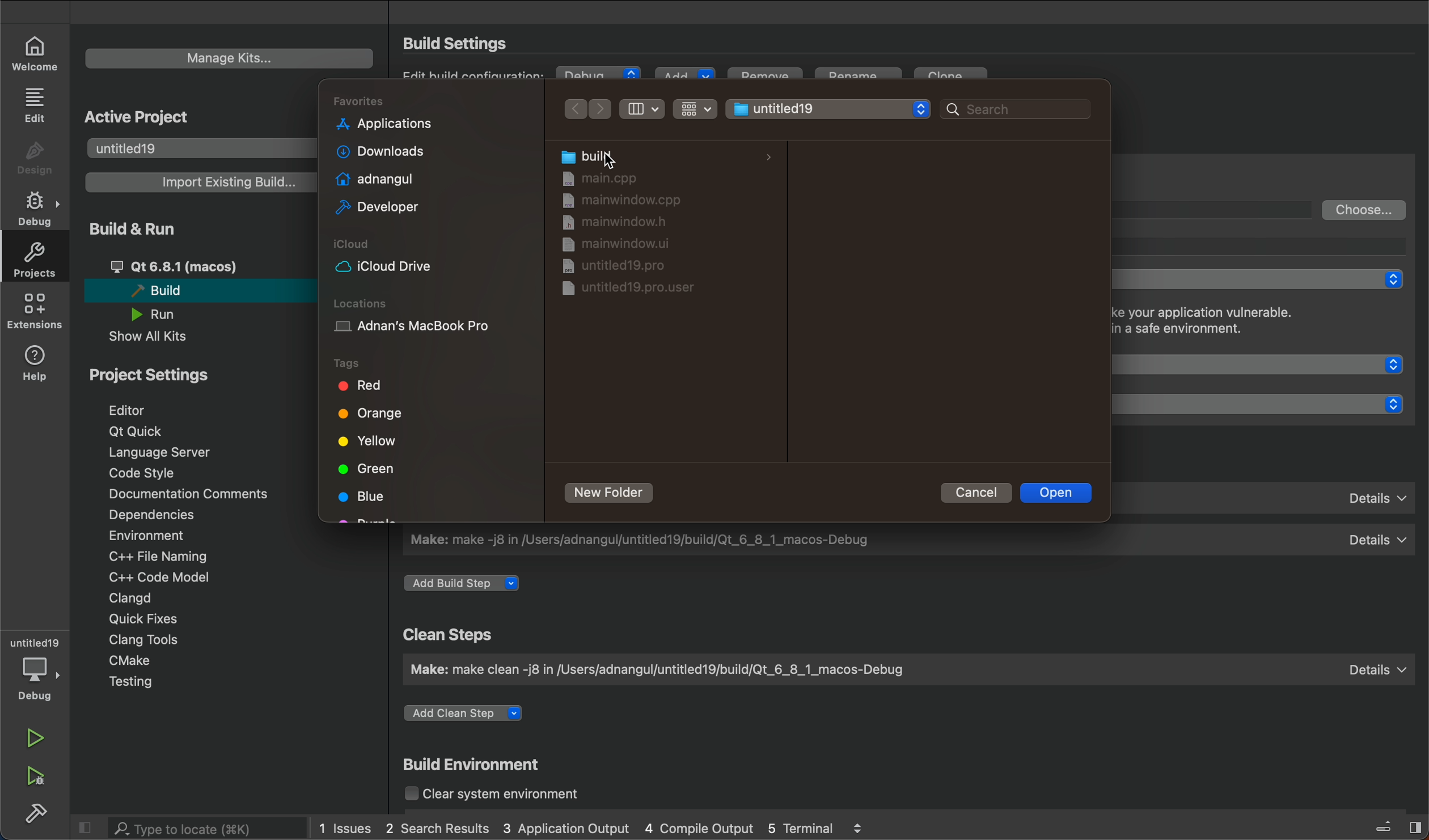 This screenshot has height=840, width=1429. I want to click on close side bar, so click(1387, 825).